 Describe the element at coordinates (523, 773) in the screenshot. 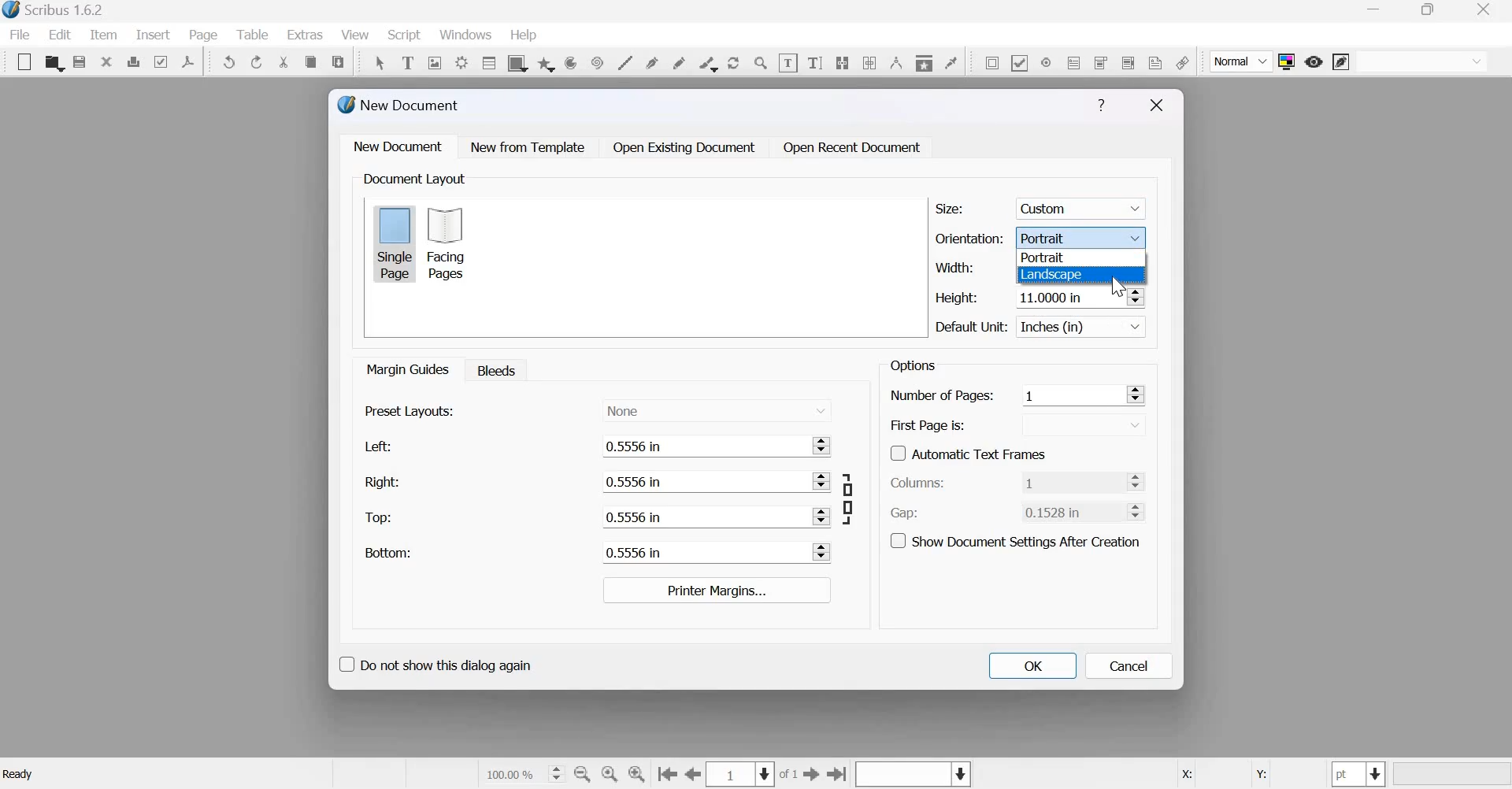

I see `current zoom level` at that location.